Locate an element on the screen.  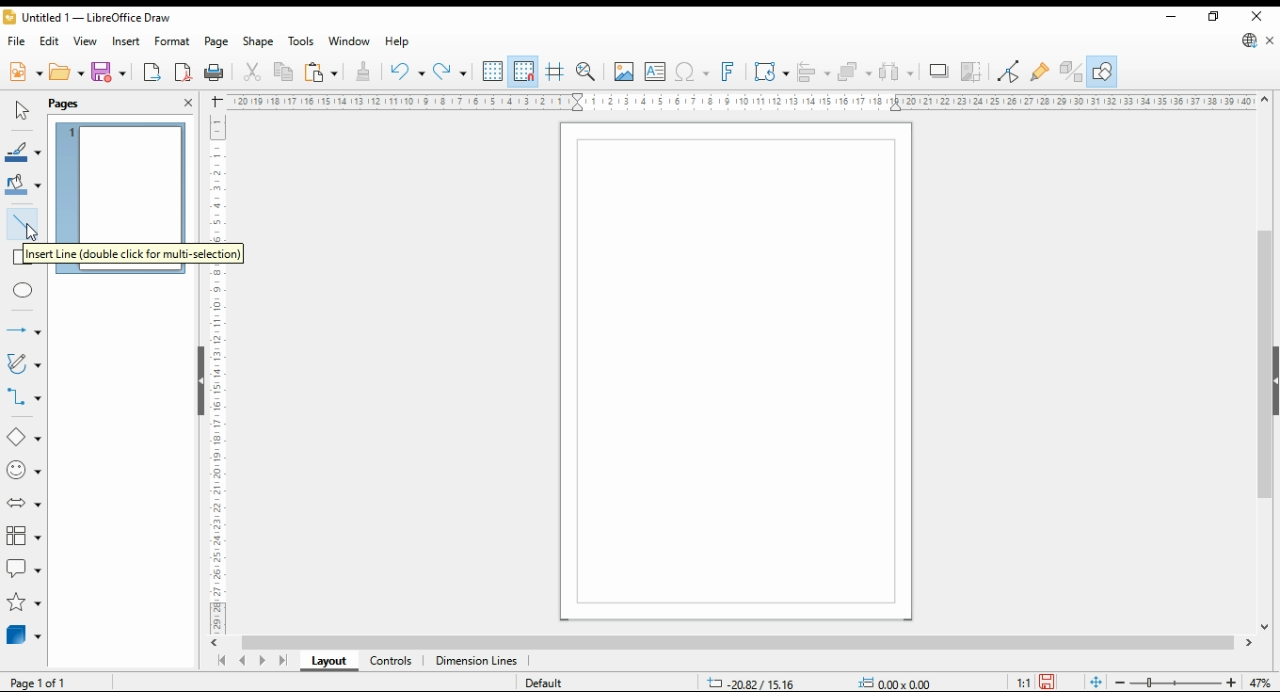
close document is located at coordinates (1271, 42).